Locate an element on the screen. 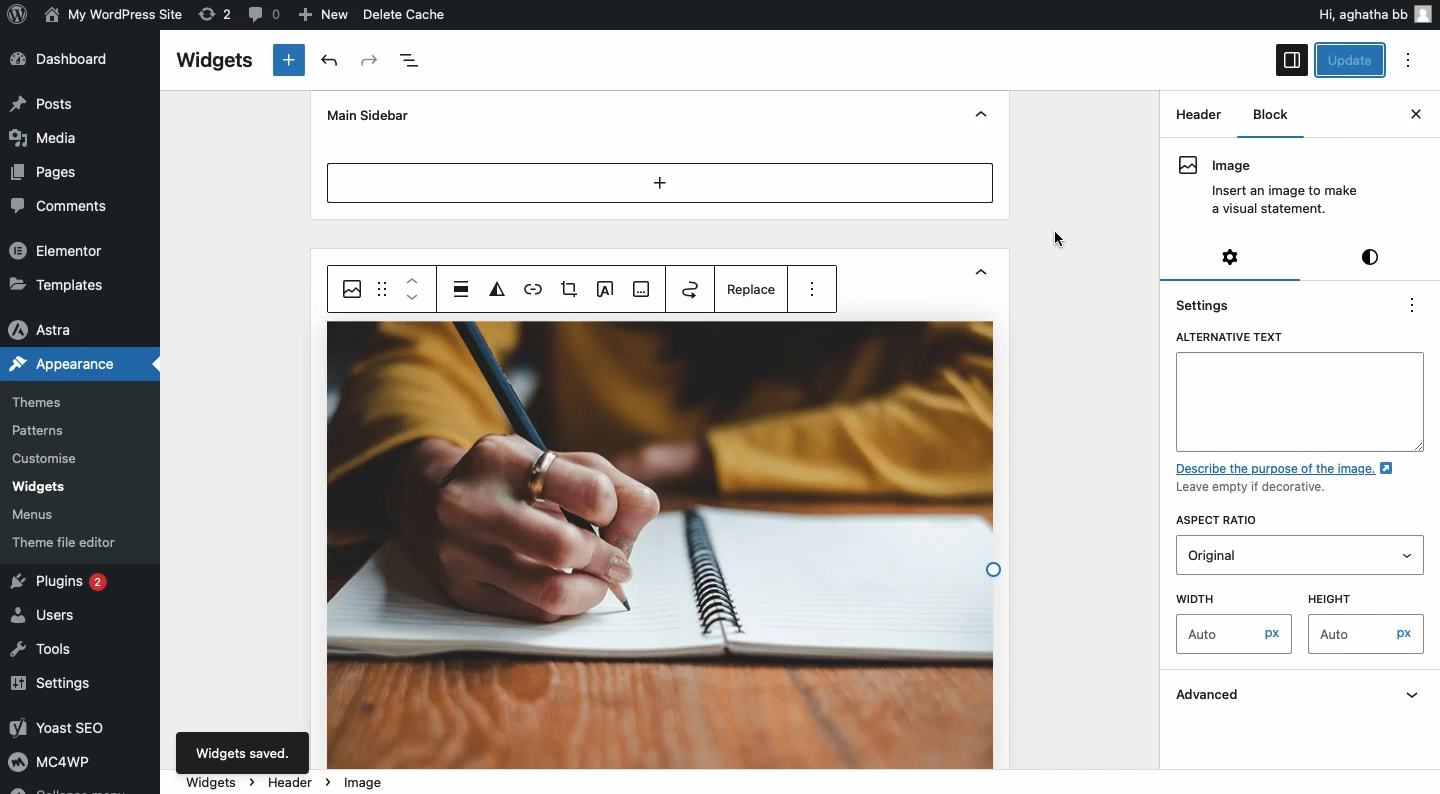 Image resolution: width=1440 pixels, height=794 pixels. Patterns is located at coordinates (41, 430).